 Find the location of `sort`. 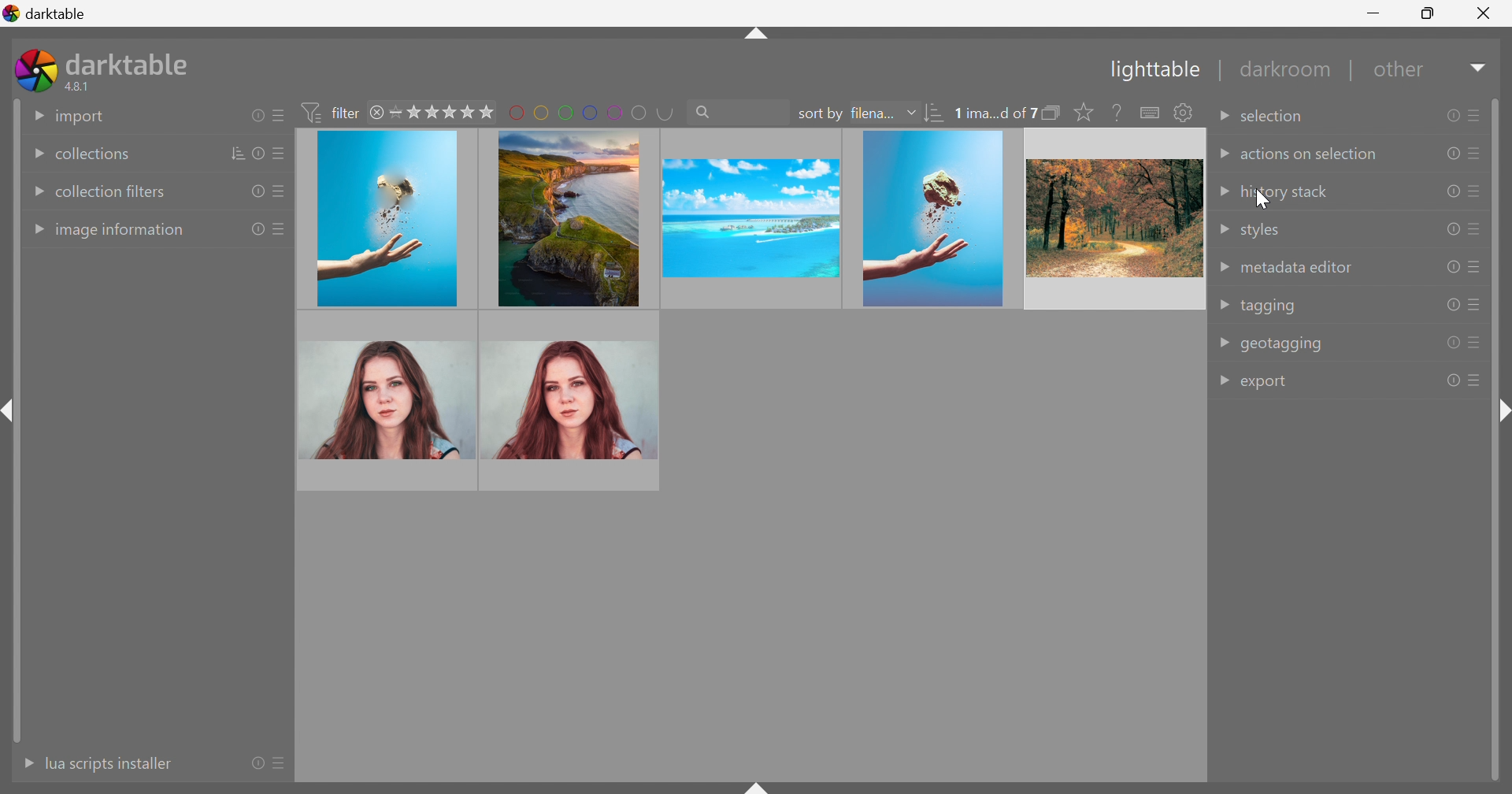

sort is located at coordinates (239, 153).